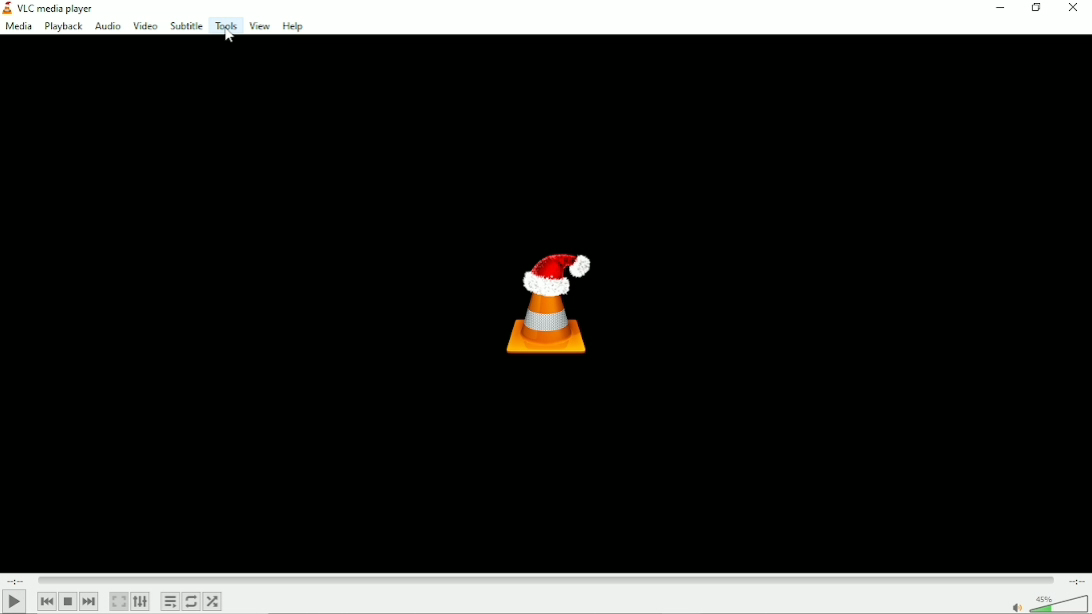  Describe the element at coordinates (169, 601) in the screenshot. I see `Toggle playlist` at that location.